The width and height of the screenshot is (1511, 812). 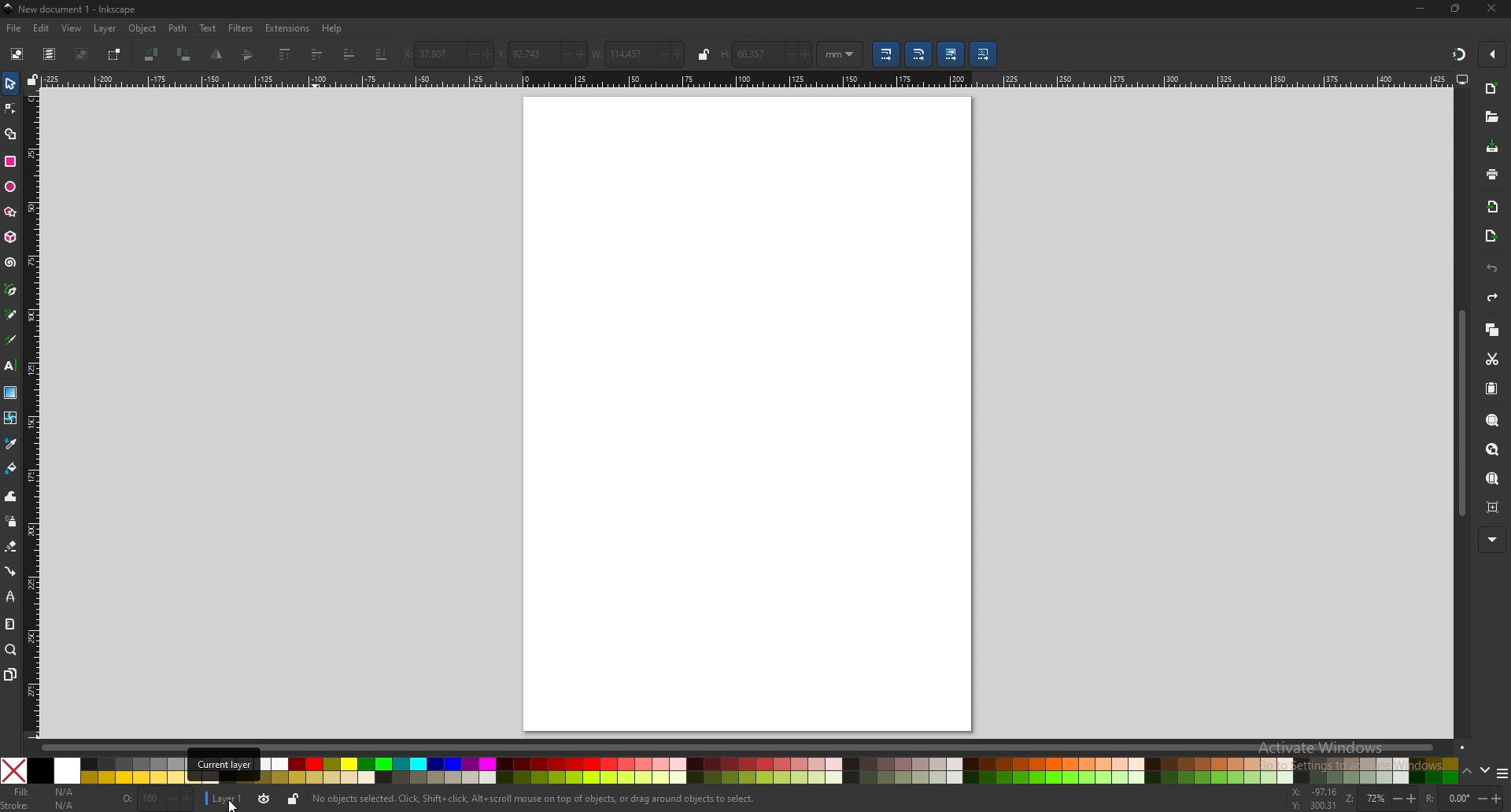 What do you see at coordinates (10, 211) in the screenshot?
I see `stars and polygons` at bounding box center [10, 211].